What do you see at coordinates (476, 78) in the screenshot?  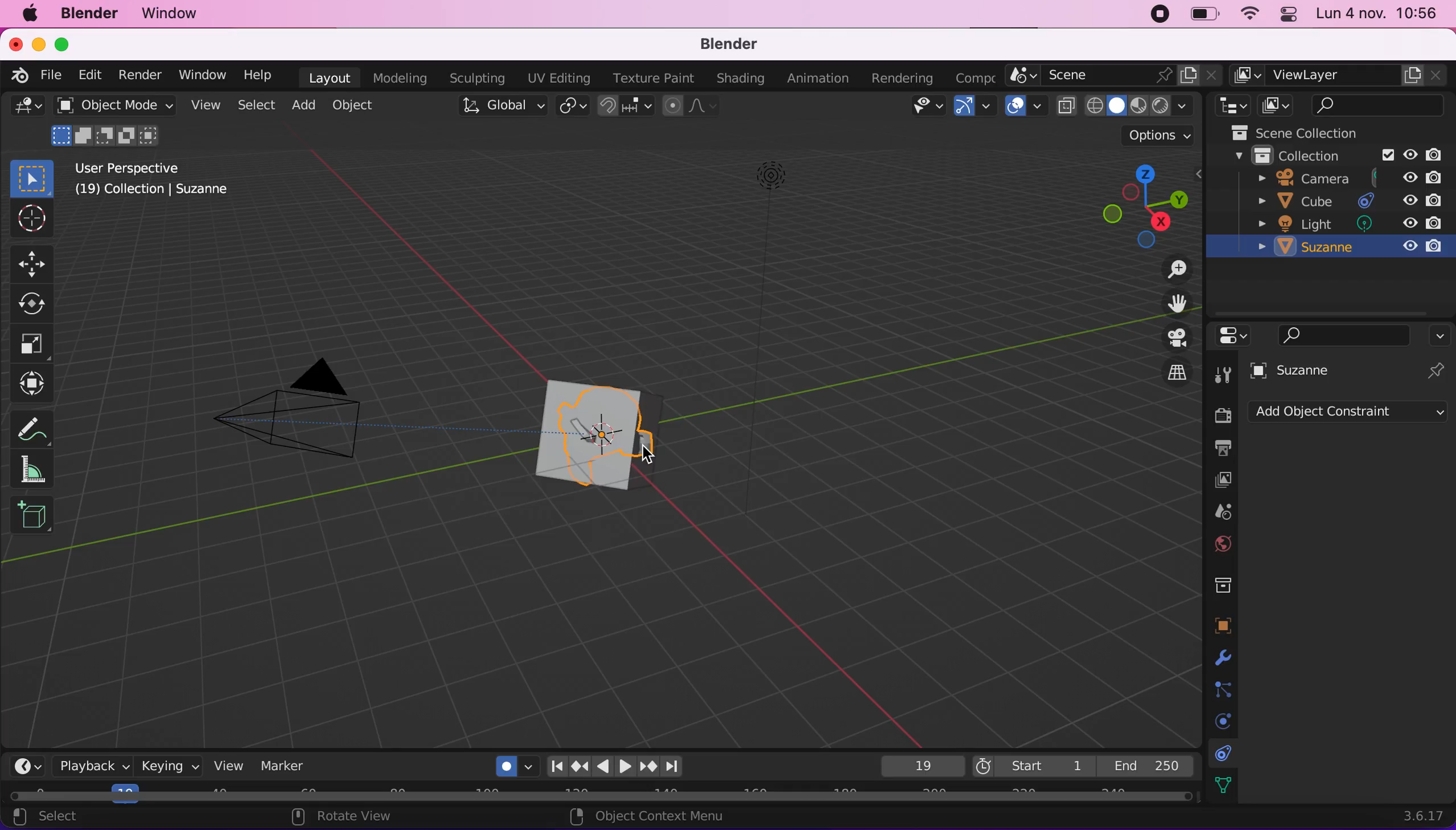 I see `sculpting` at bounding box center [476, 78].